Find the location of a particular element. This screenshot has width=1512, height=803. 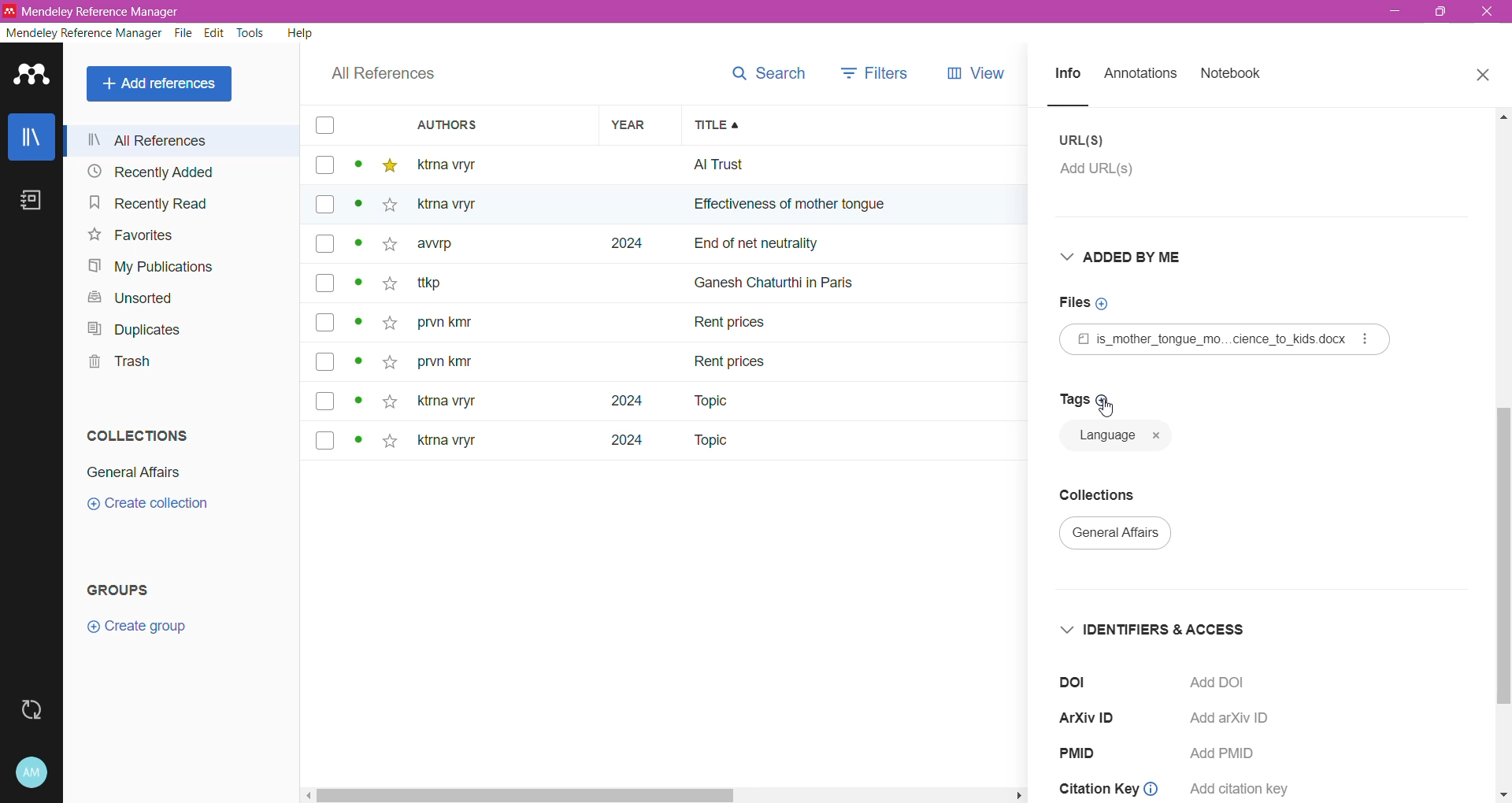

line  is located at coordinates (1083, 105).